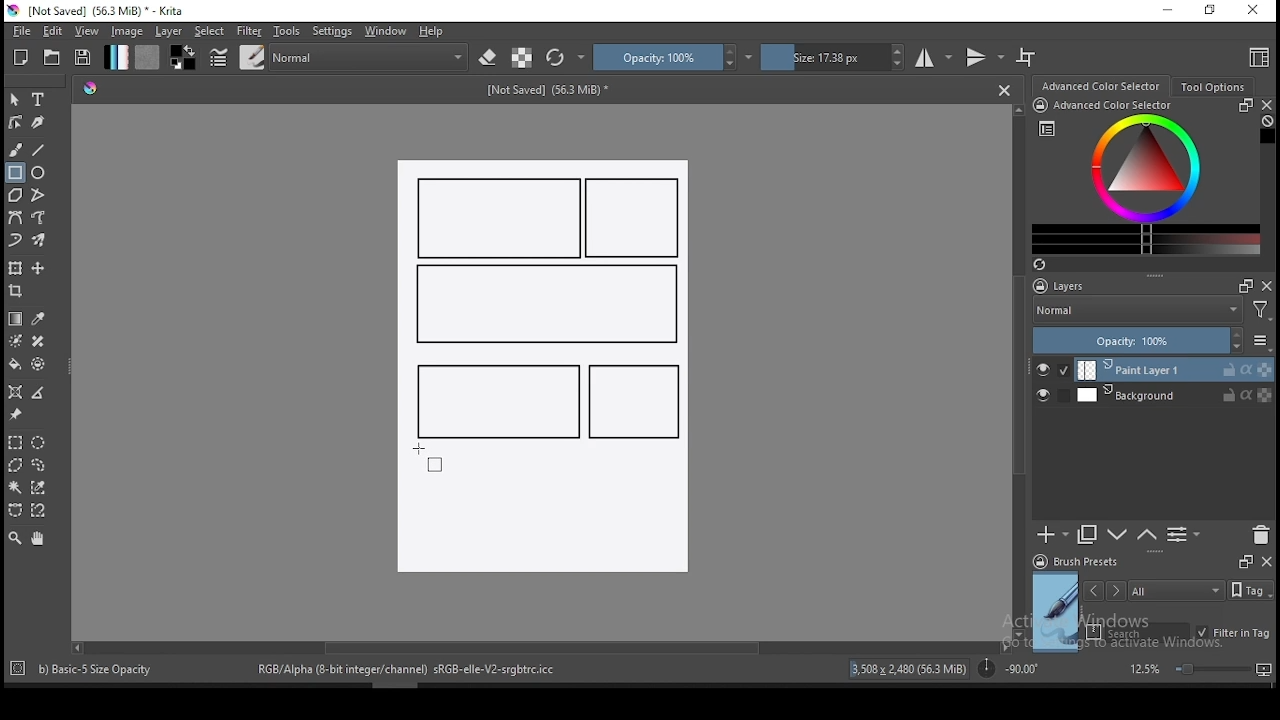 The height and width of the screenshot is (720, 1280). Describe the element at coordinates (1183, 534) in the screenshot. I see `view or change layer properties` at that location.